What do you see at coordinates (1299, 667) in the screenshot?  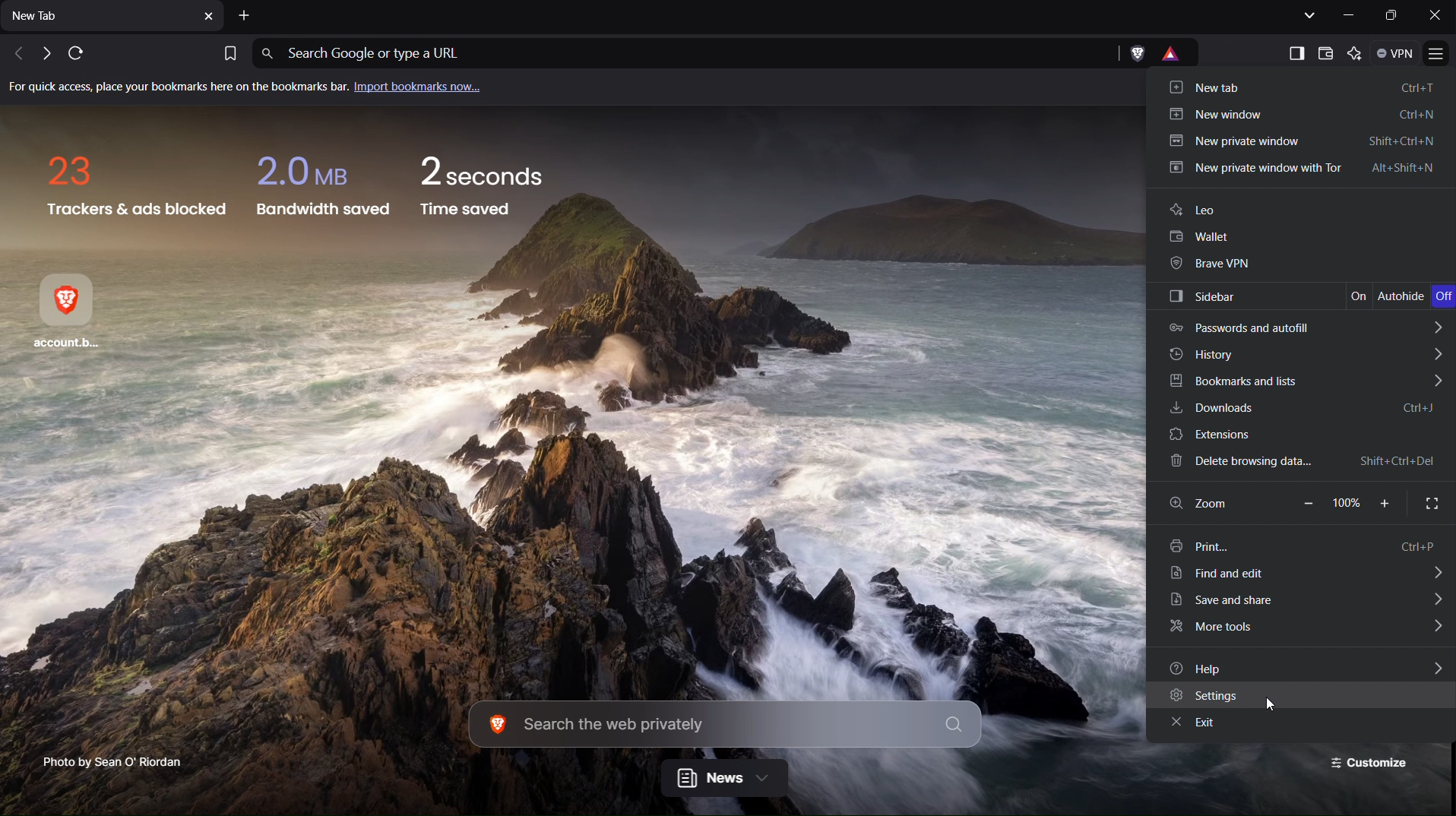 I see `Help` at bounding box center [1299, 667].